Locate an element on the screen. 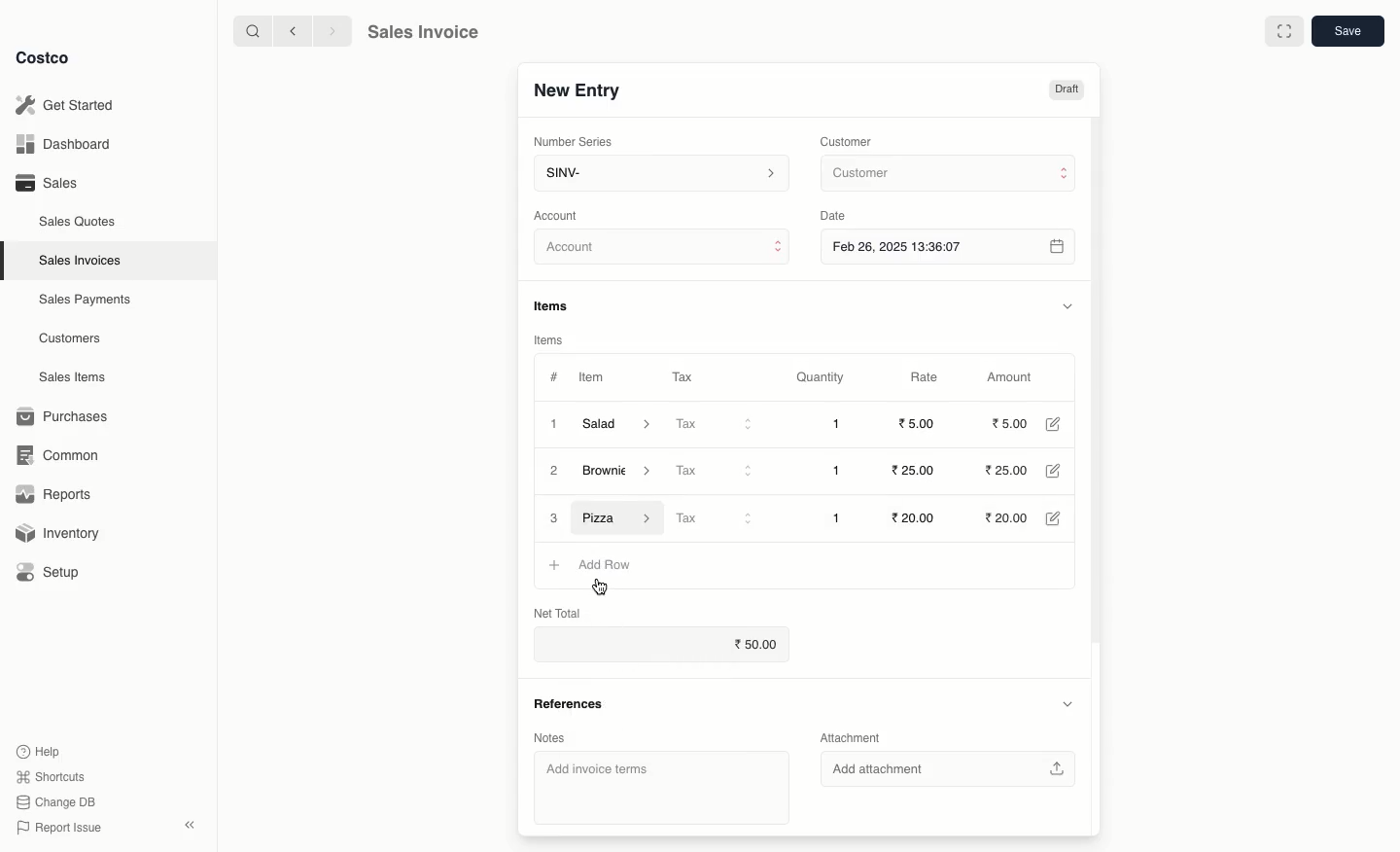 The image size is (1400, 852). 3 is located at coordinates (555, 518).